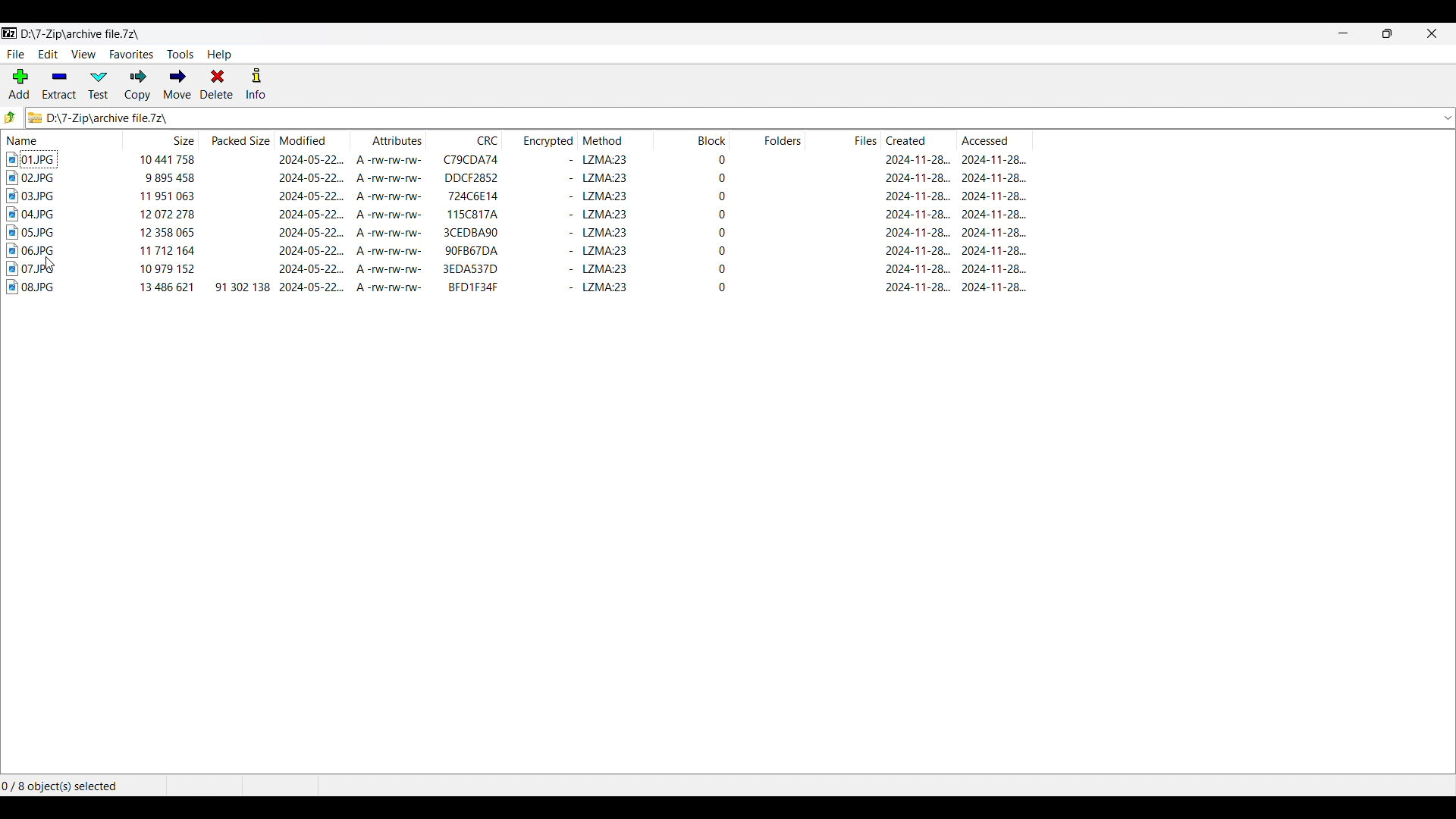  What do you see at coordinates (389, 160) in the screenshot?
I see `attributes` at bounding box center [389, 160].